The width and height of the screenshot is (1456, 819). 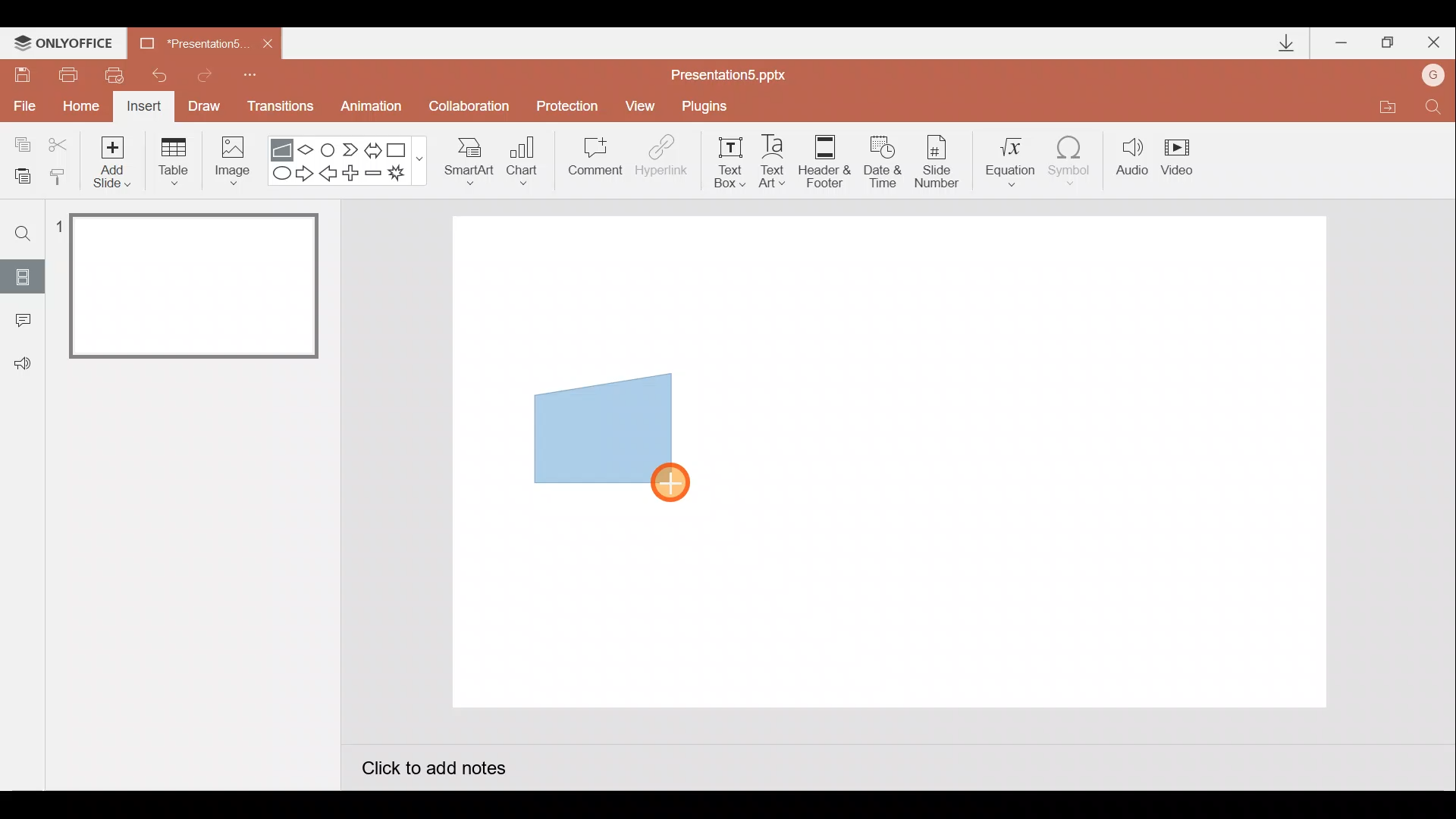 What do you see at coordinates (352, 150) in the screenshot?
I see `Chevron` at bounding box center [352, 150].